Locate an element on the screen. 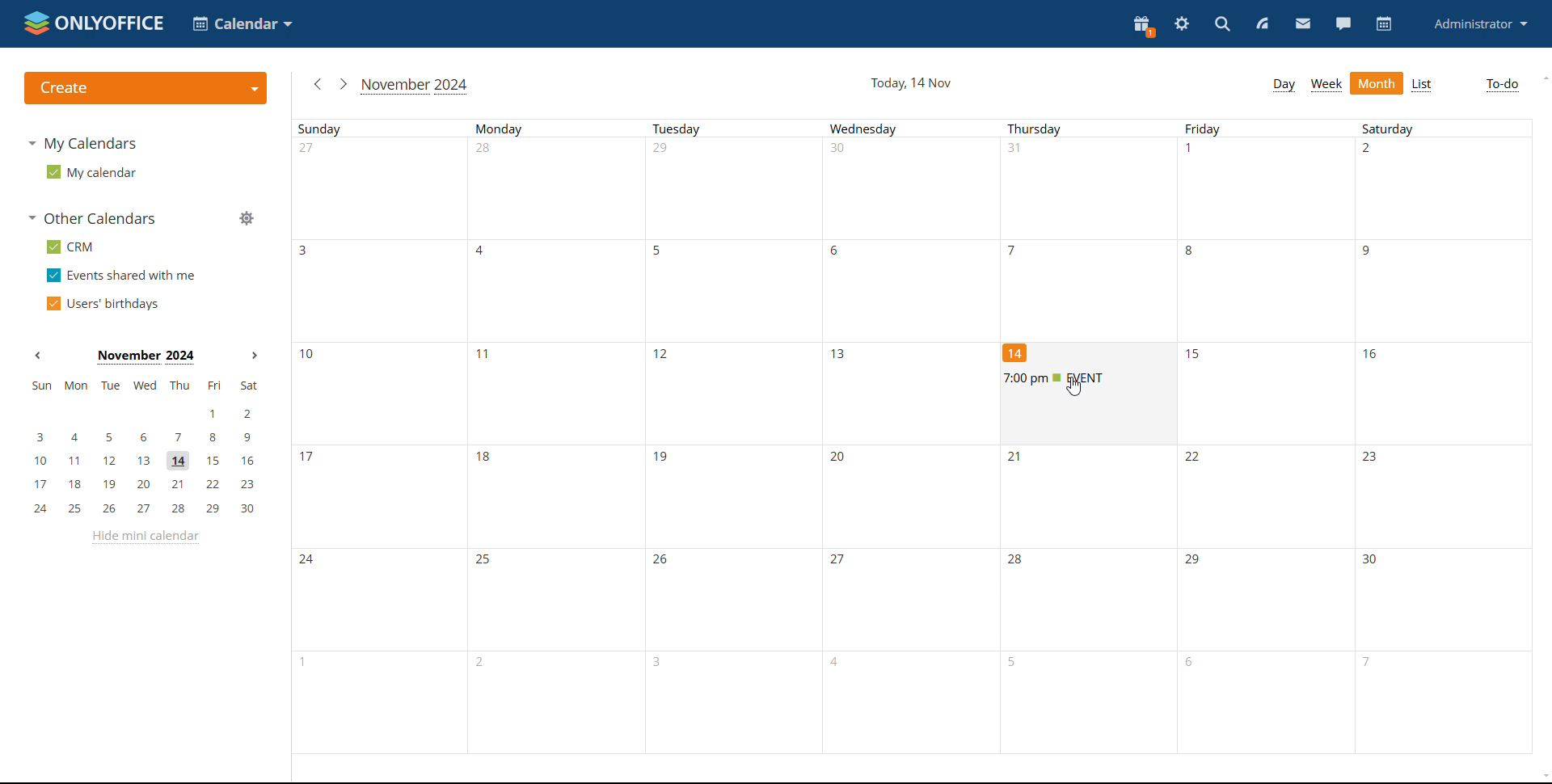  previous month is located at coordinates (315, 83).